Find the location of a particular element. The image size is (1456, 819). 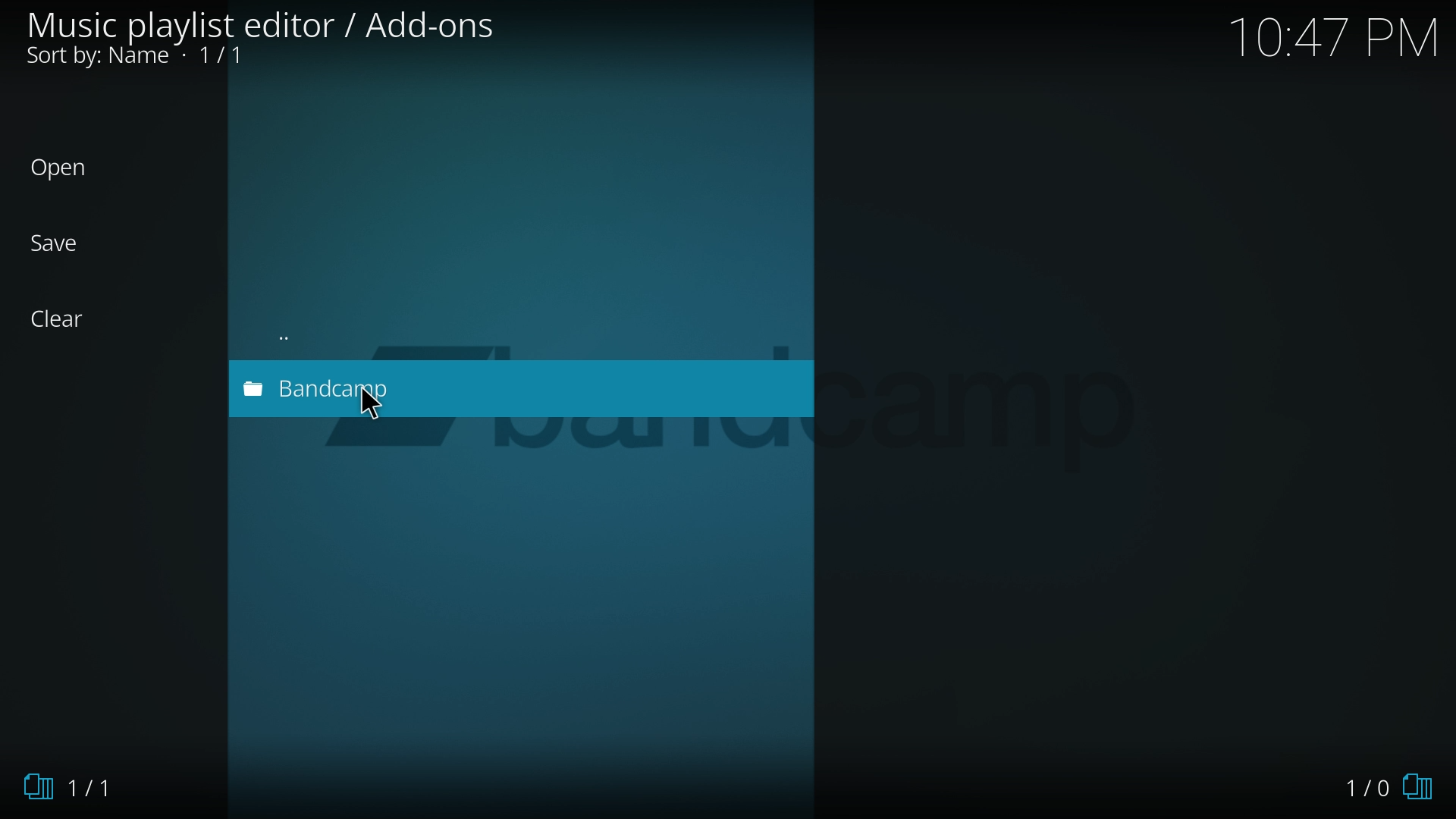

Clear is located at coordinates (68, 319).